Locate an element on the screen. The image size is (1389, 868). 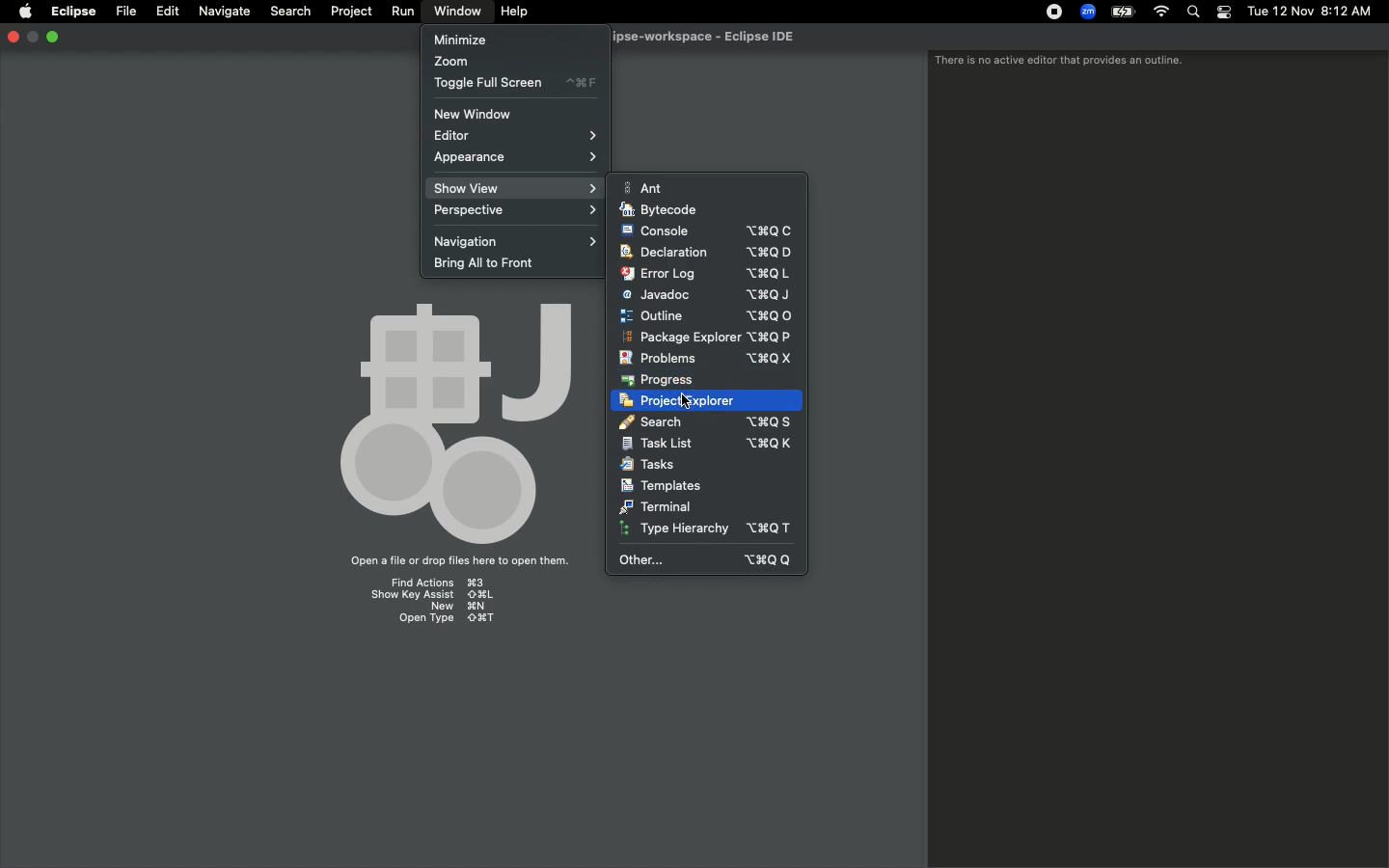
close is located at coordinates (13, 39).